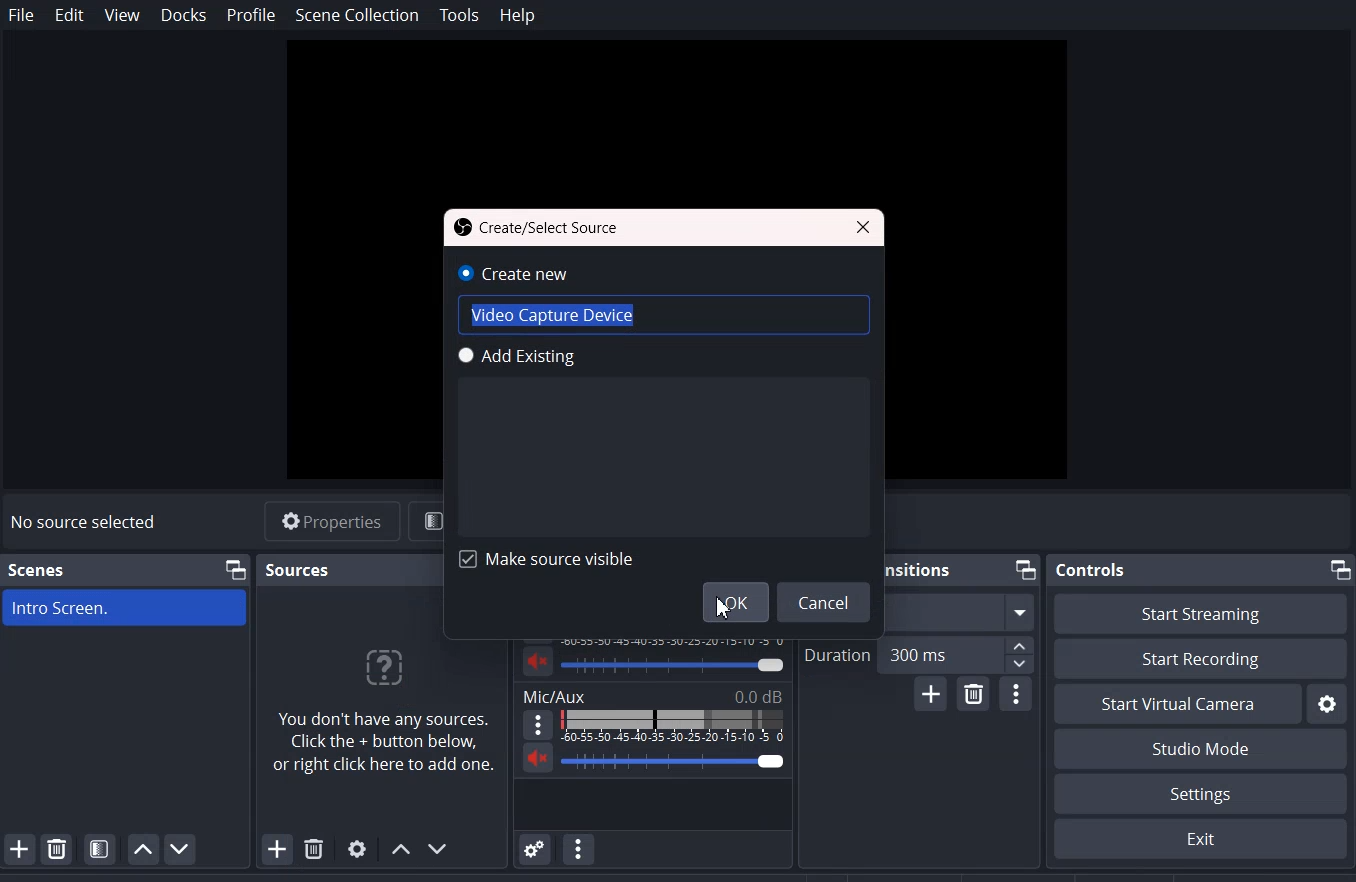 The width and height of the screenshot is (1356, 882). I want to click on Add Scene, so click(19, 848).